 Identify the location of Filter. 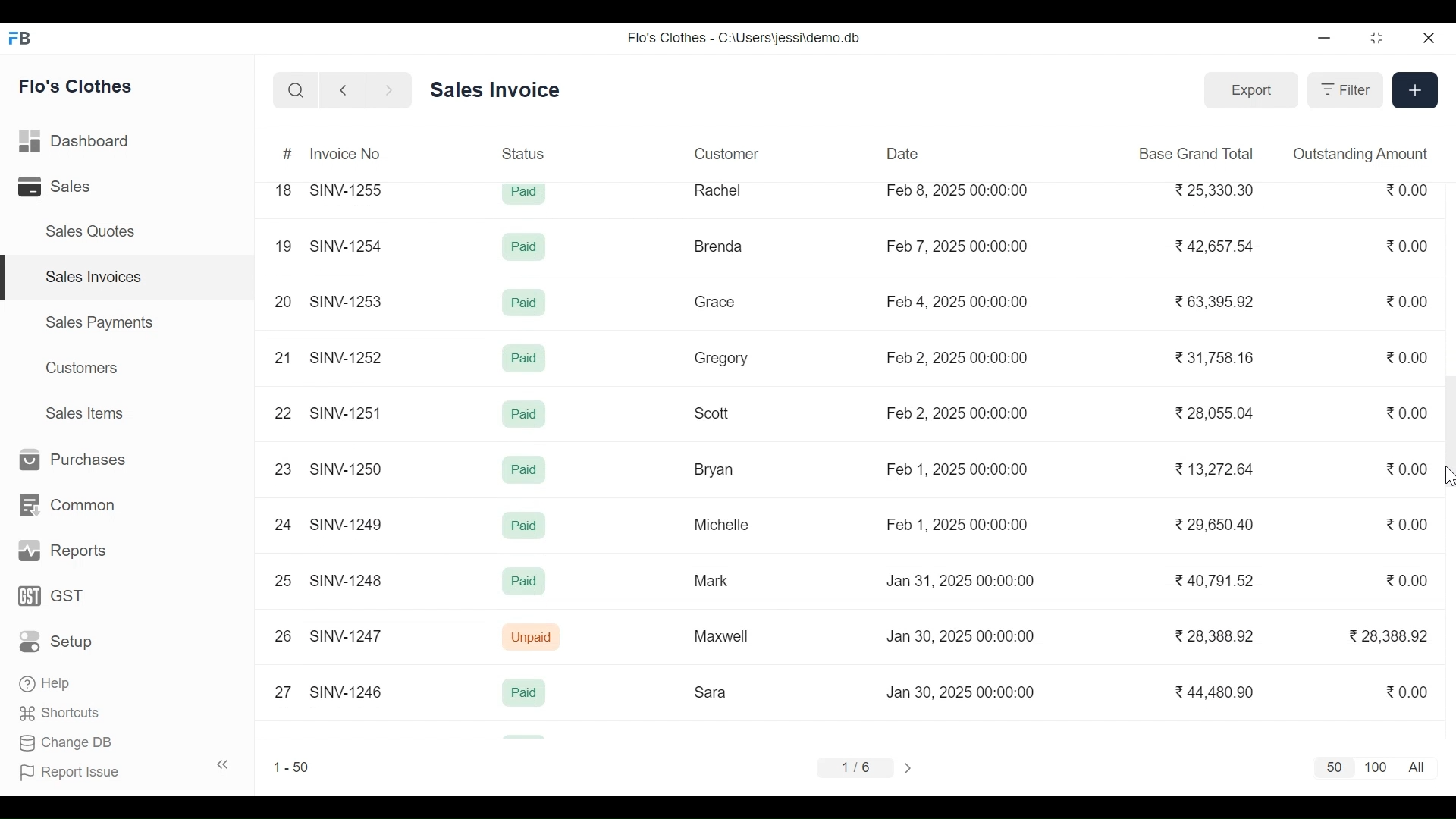
(1343, 89).